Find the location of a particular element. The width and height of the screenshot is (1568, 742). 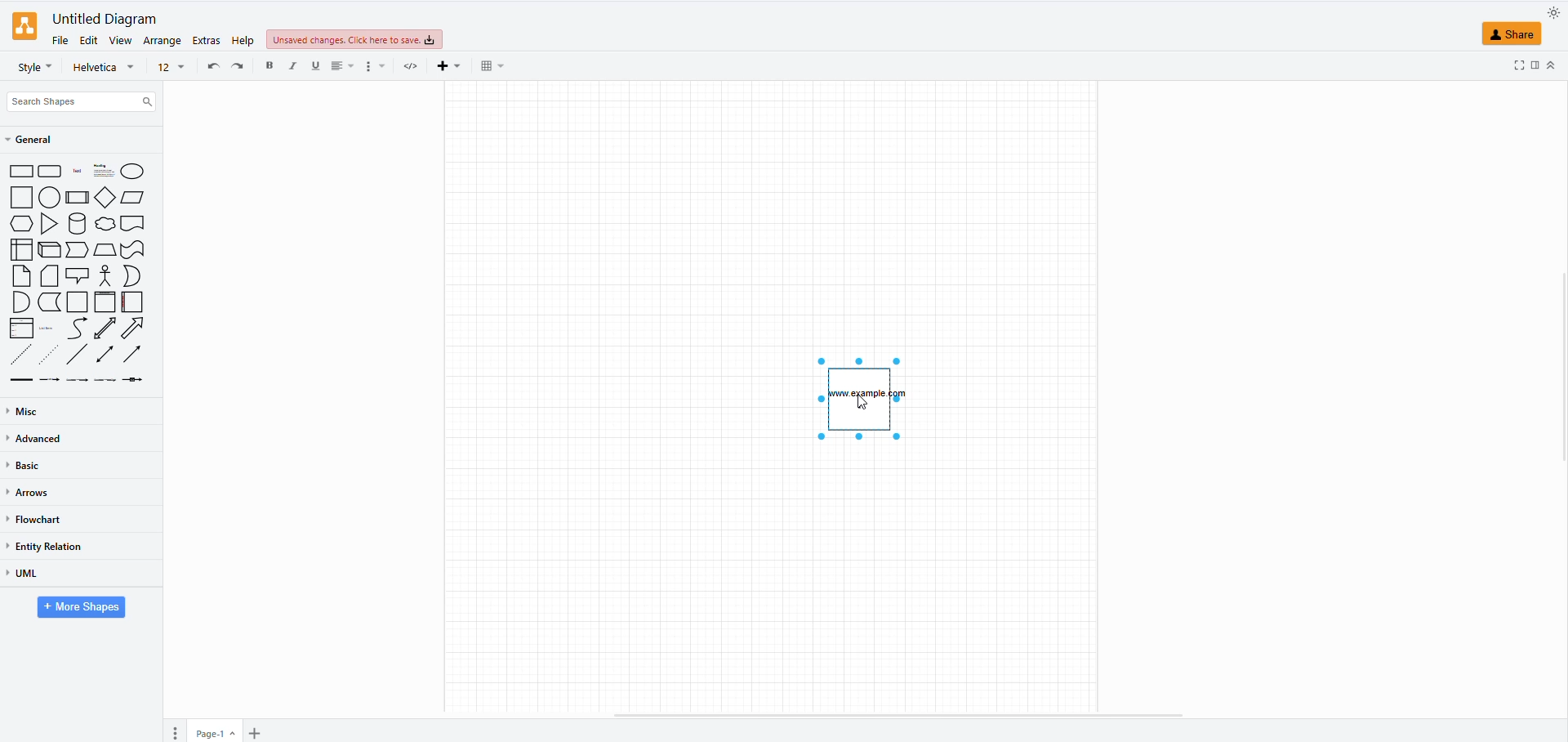

text is located at coordinates (867, 400).